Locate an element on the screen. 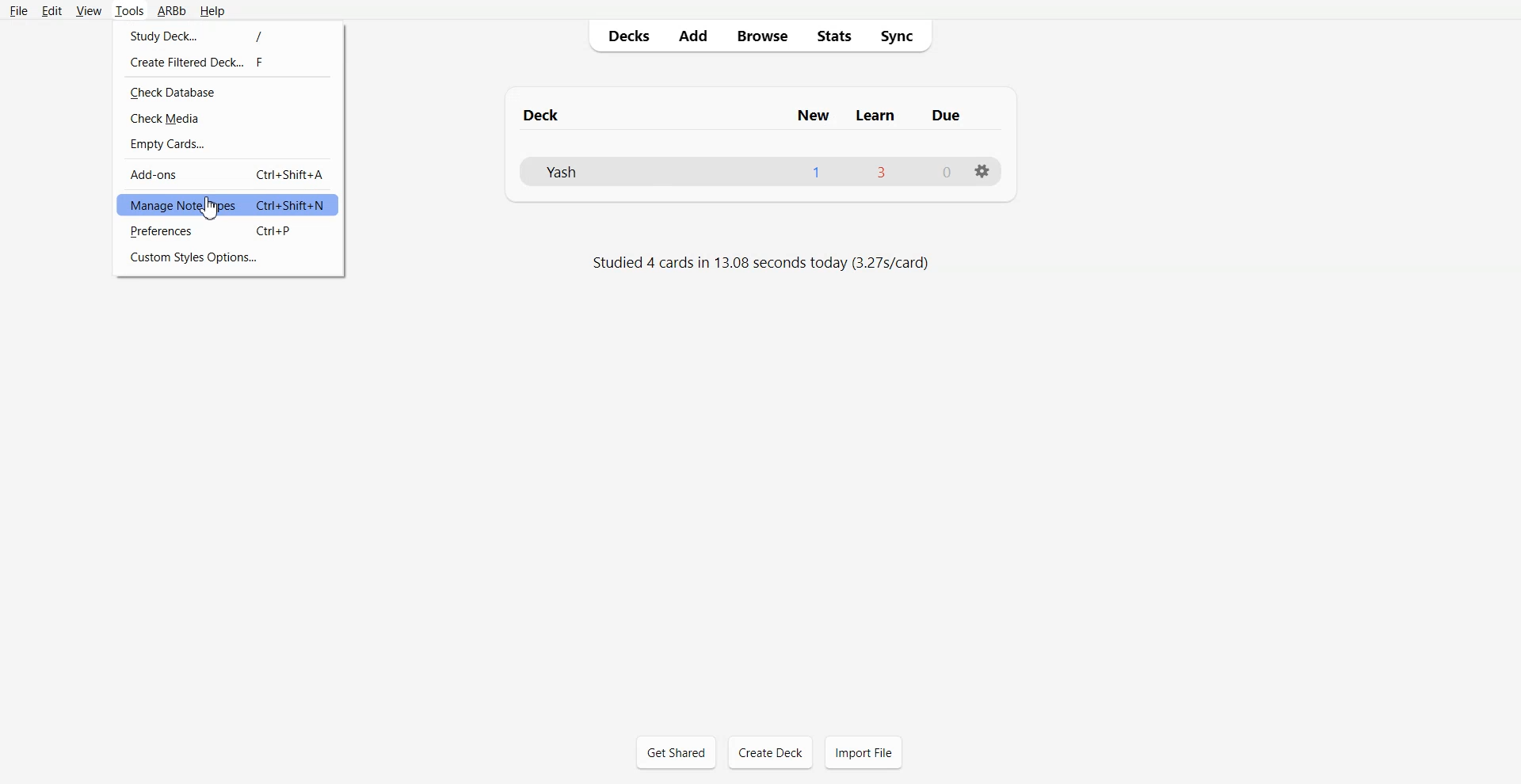 This screenshot has width=1521, height=784. Add-ons is located at coordinates (228, 174).